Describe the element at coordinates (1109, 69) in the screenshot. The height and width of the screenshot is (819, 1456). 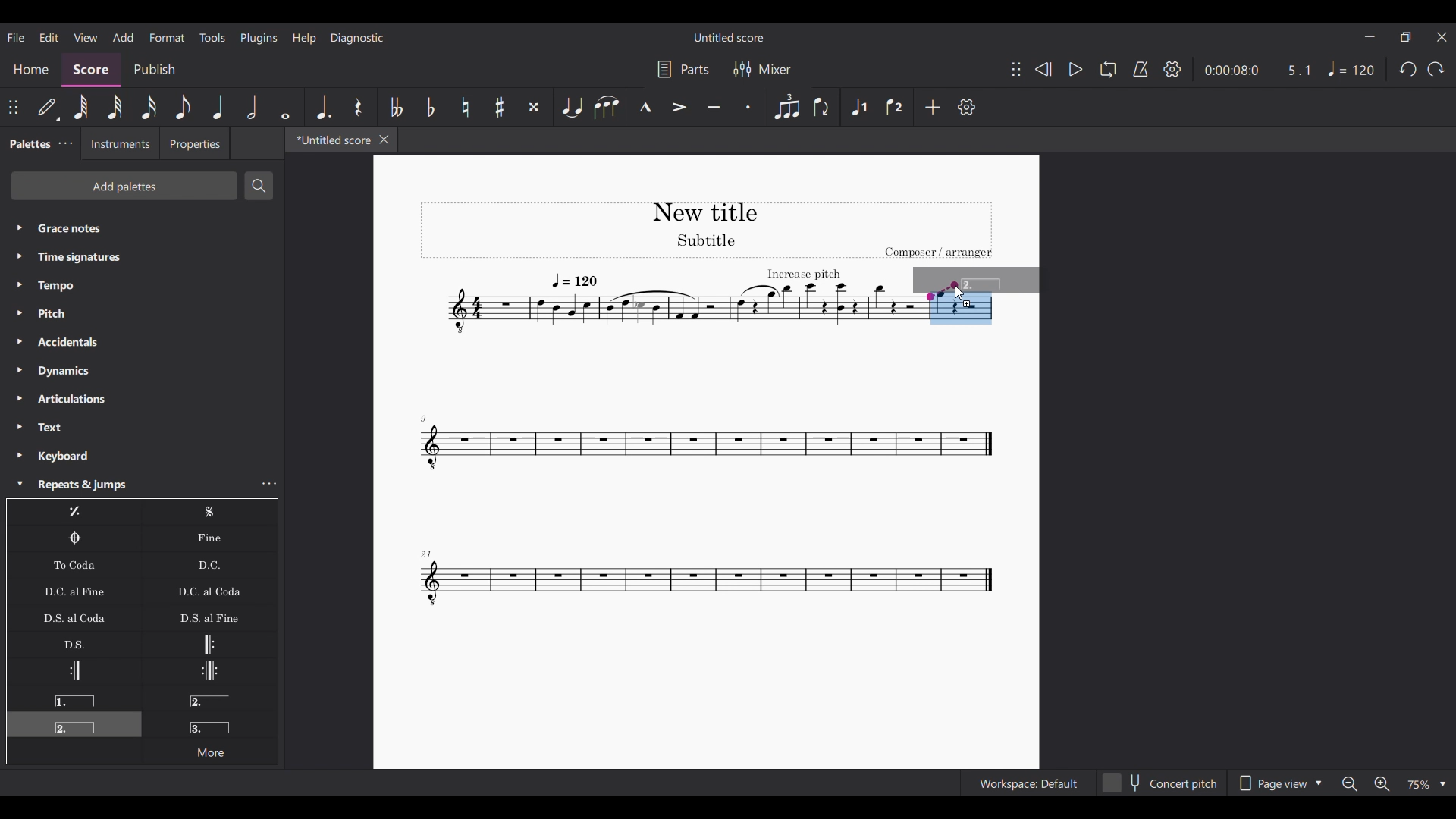
I see `Loop playback` at that location.